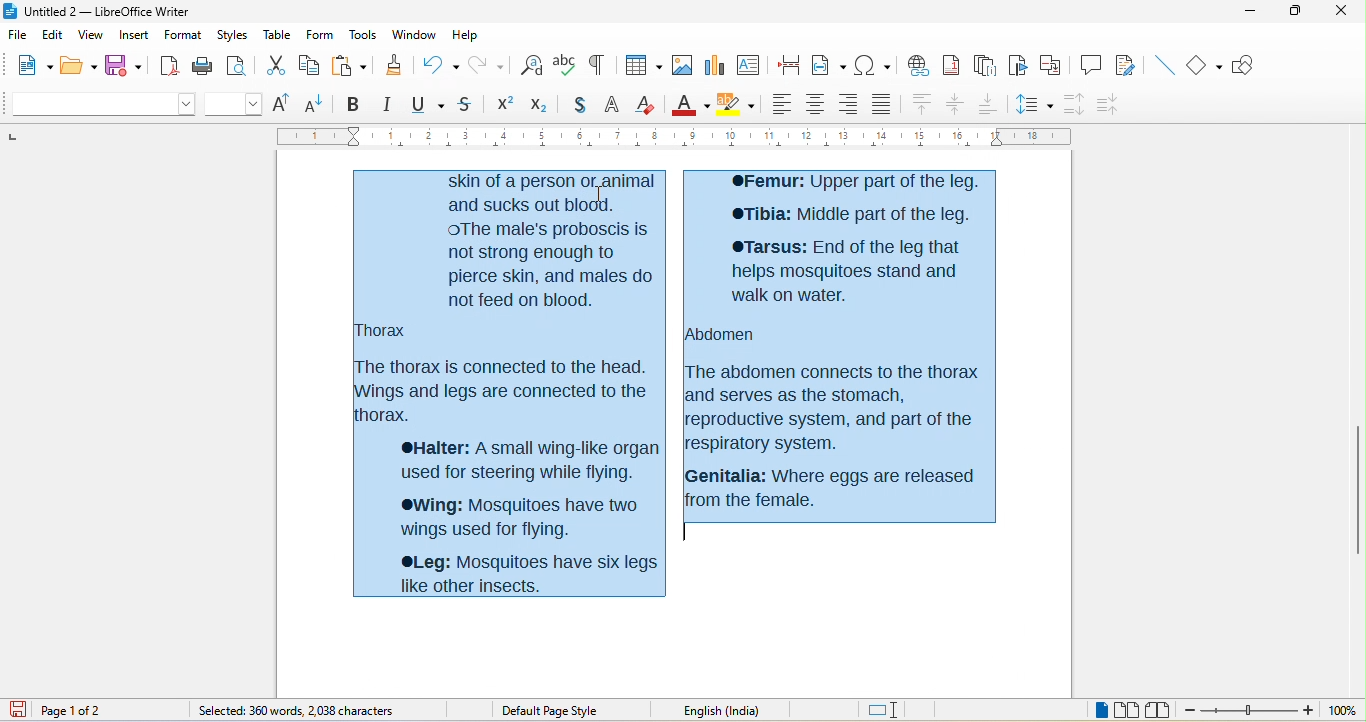  What do you see at coordinates (1292, 13) in the screenshot?
I see `maximize` at bounding box center [1292, 13].